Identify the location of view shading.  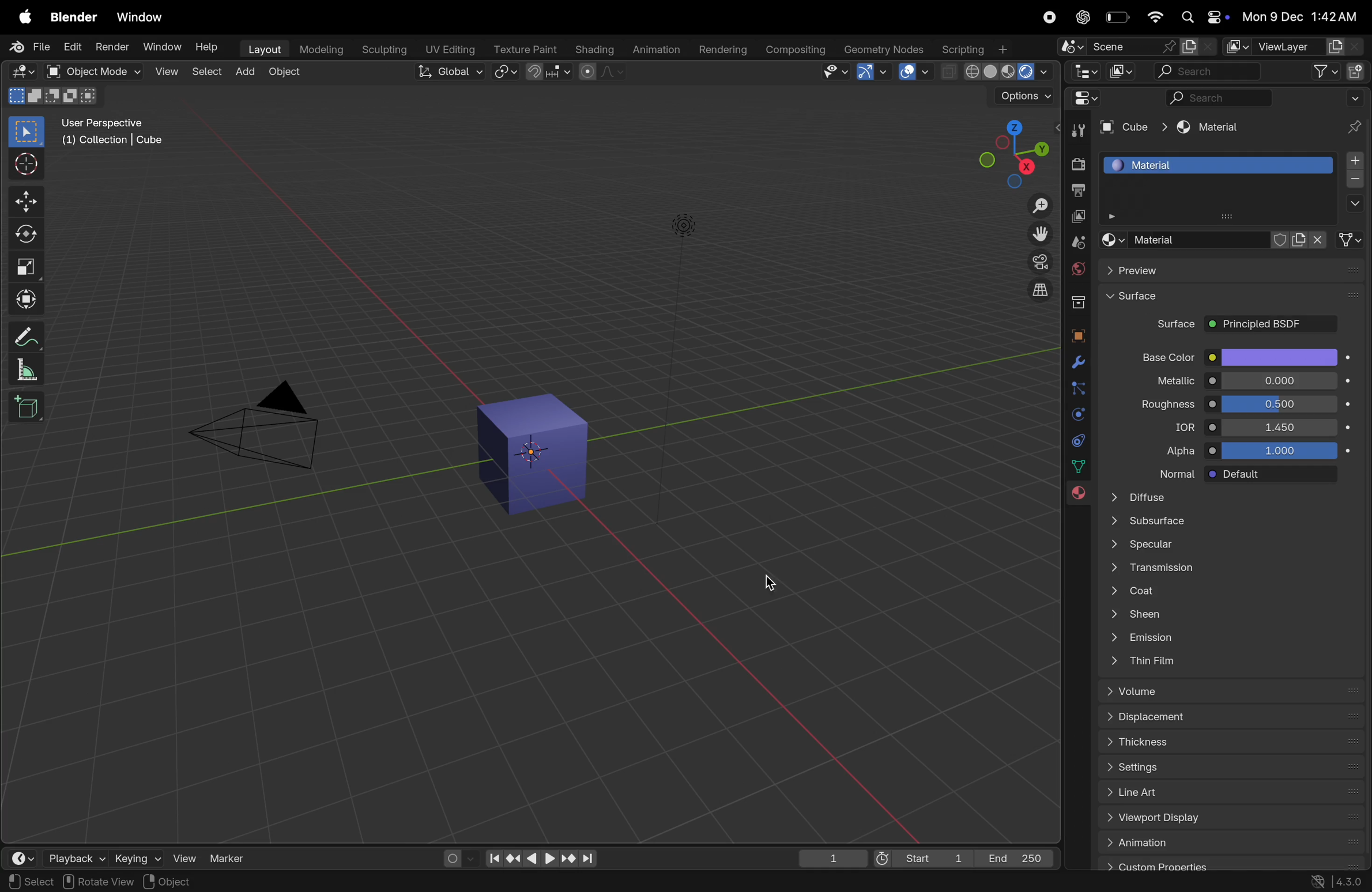
(997, 73).